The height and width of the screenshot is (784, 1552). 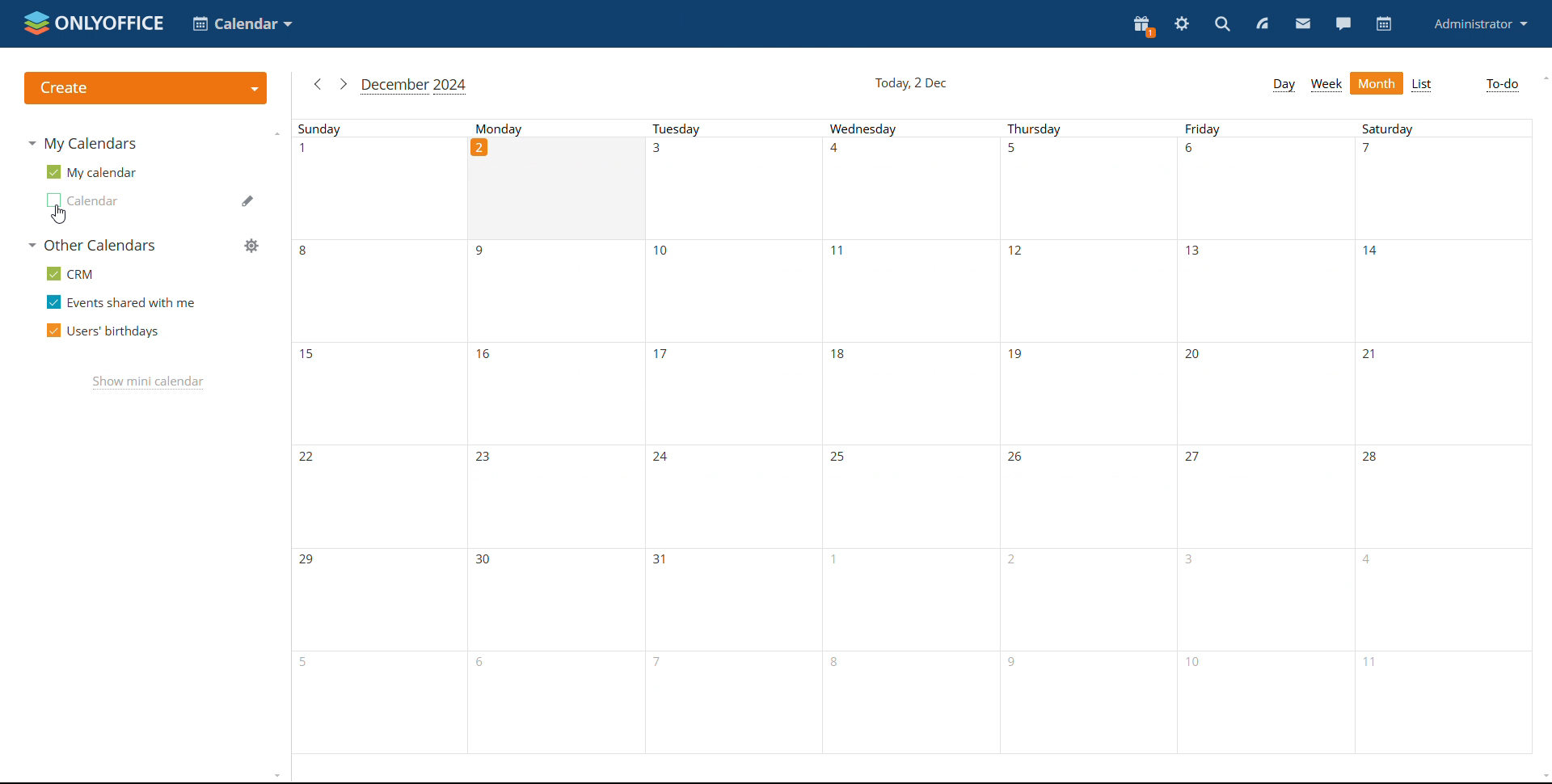 What do you see at coordinates (147, 91) in the screenshot?
I see `create` at bounding box center [147, 91].